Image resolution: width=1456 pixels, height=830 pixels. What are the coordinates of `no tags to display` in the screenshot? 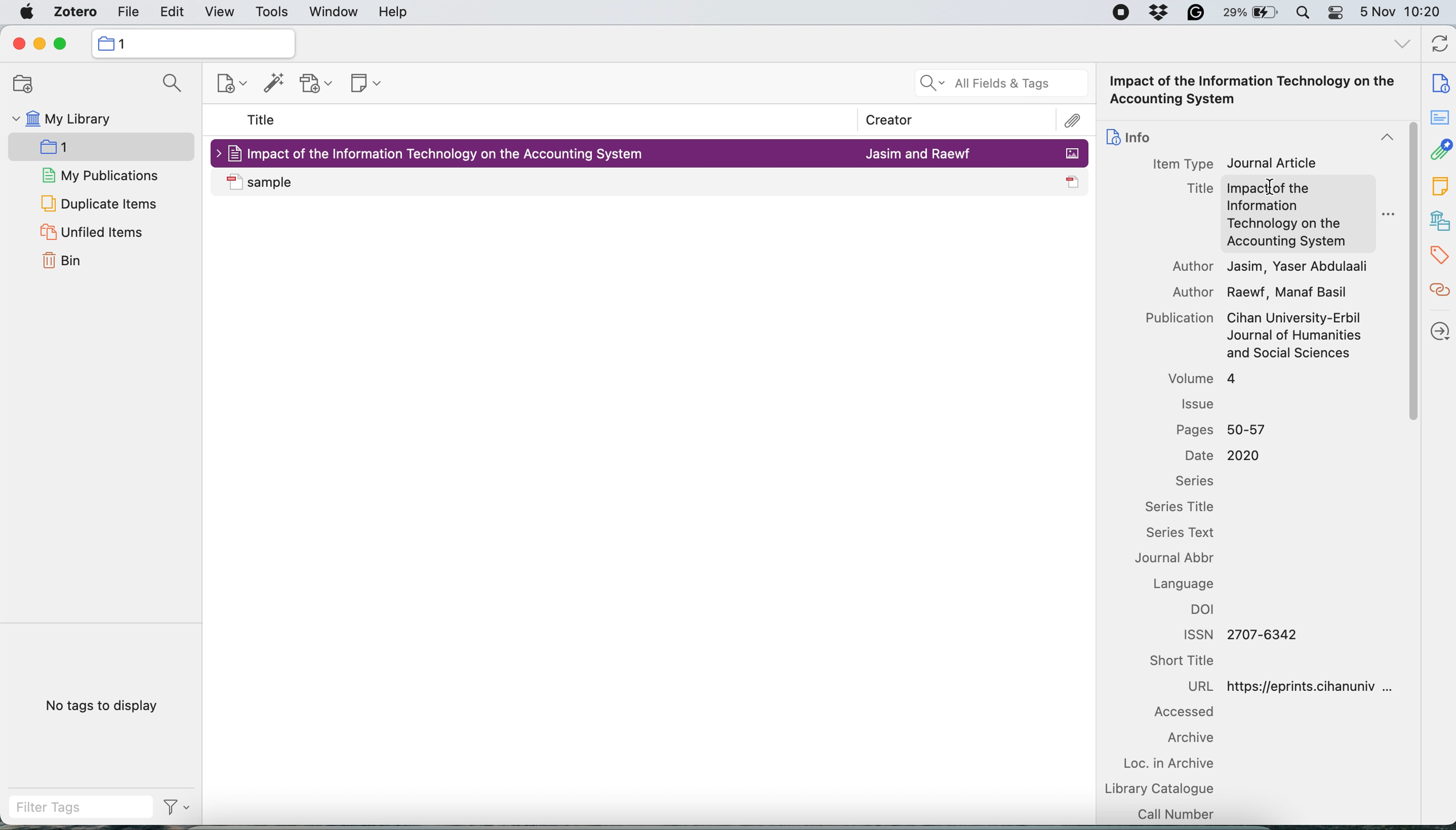 It's located at (102, 705).